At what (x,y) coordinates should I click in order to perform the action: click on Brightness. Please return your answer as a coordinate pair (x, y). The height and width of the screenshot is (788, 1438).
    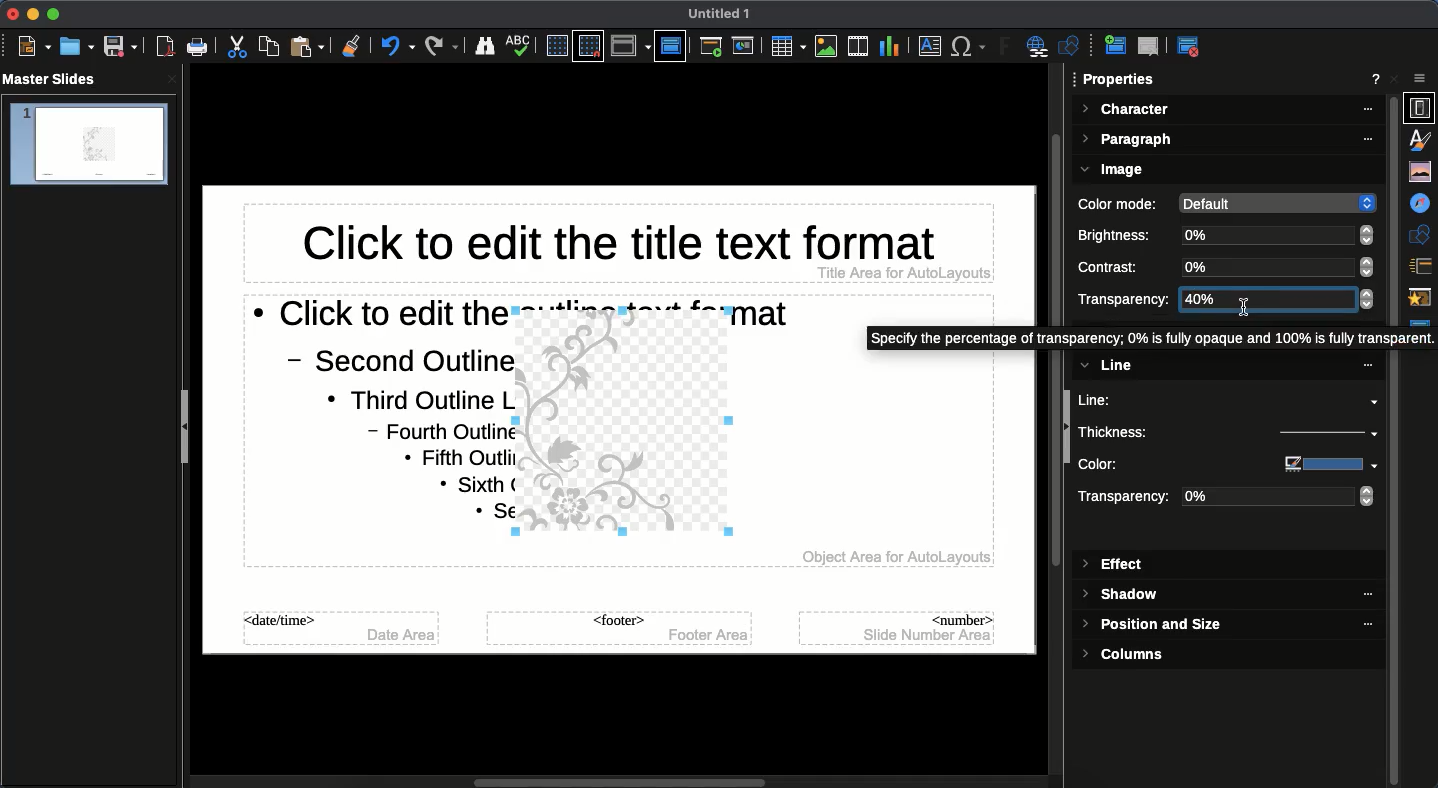
    Looking at the image, I should click on (1119, 235).